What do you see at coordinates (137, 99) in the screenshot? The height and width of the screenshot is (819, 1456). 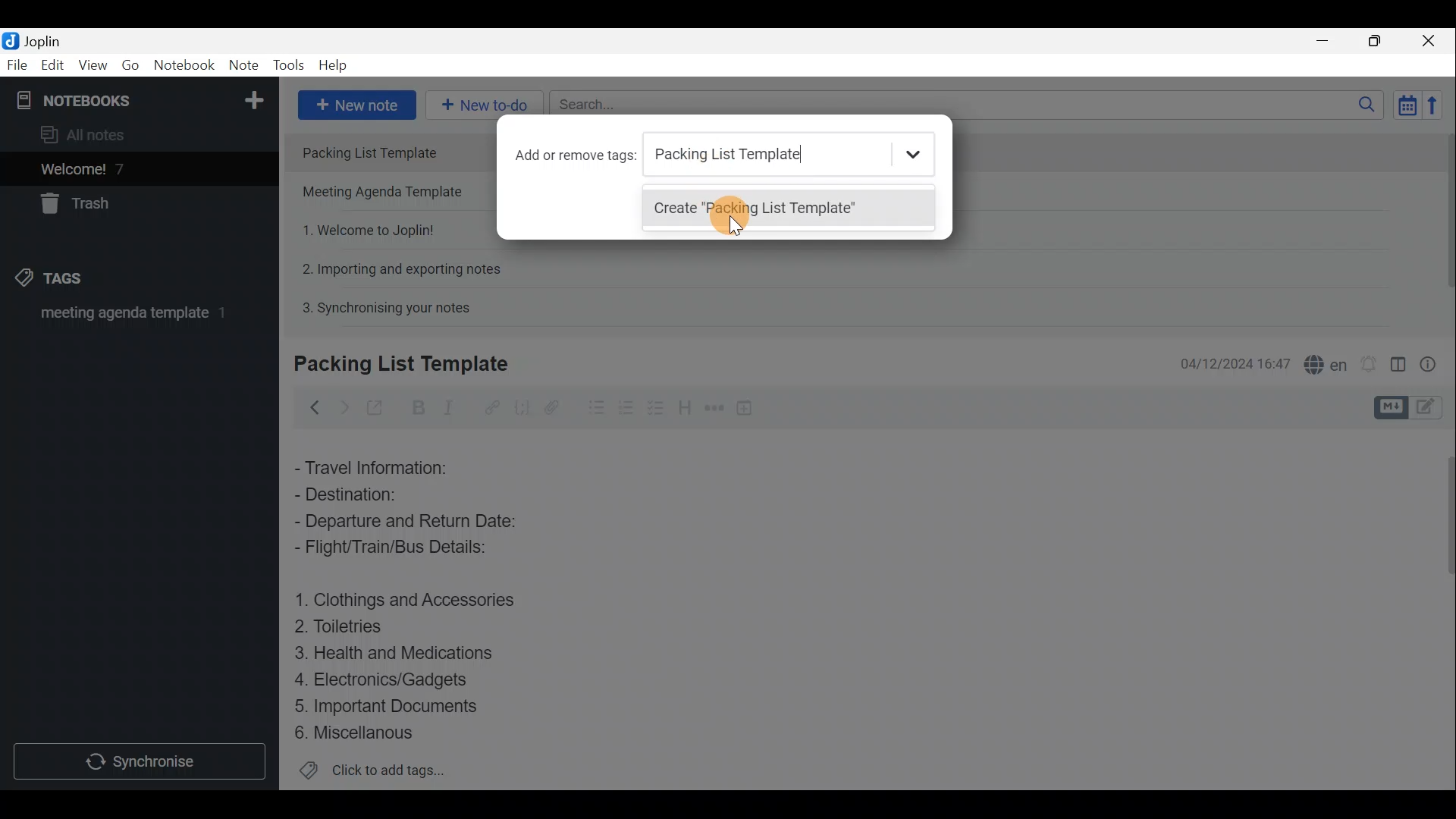 I see `Notebook` at bounding box center [137, 99].